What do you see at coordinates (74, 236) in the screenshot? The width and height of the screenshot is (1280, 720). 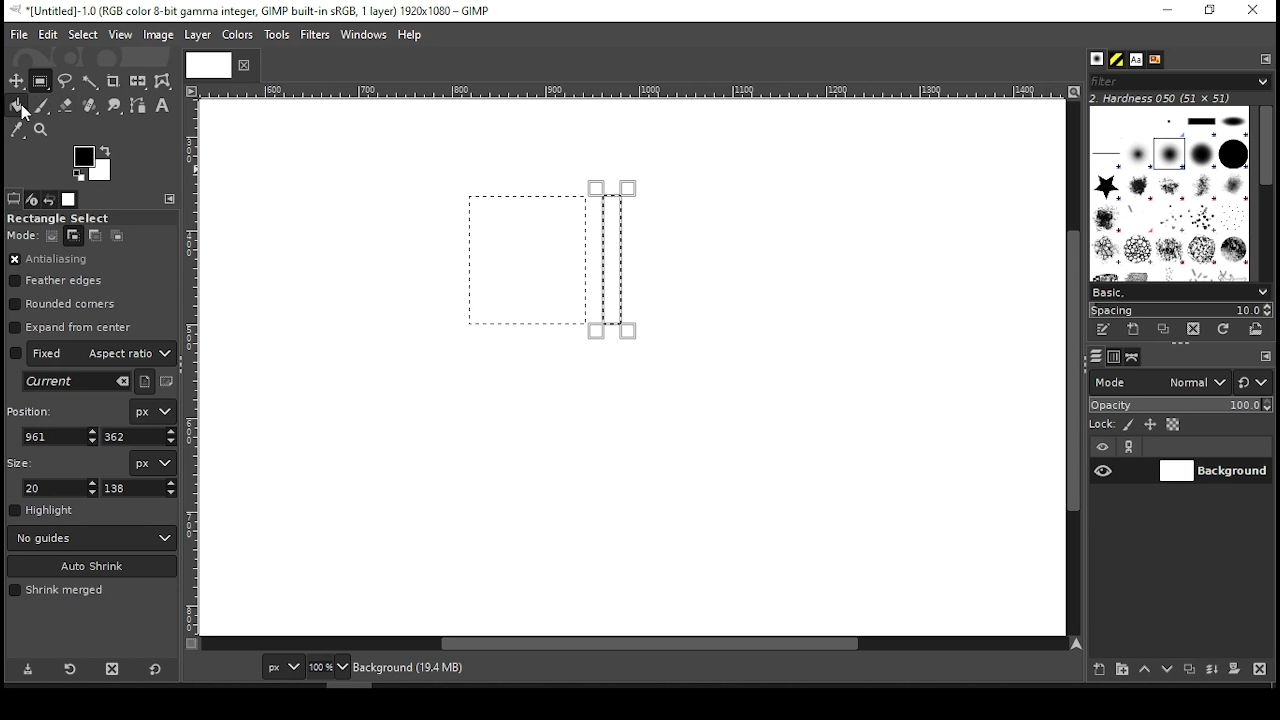 I see `add to current selection` at bounding box center [74, 236].